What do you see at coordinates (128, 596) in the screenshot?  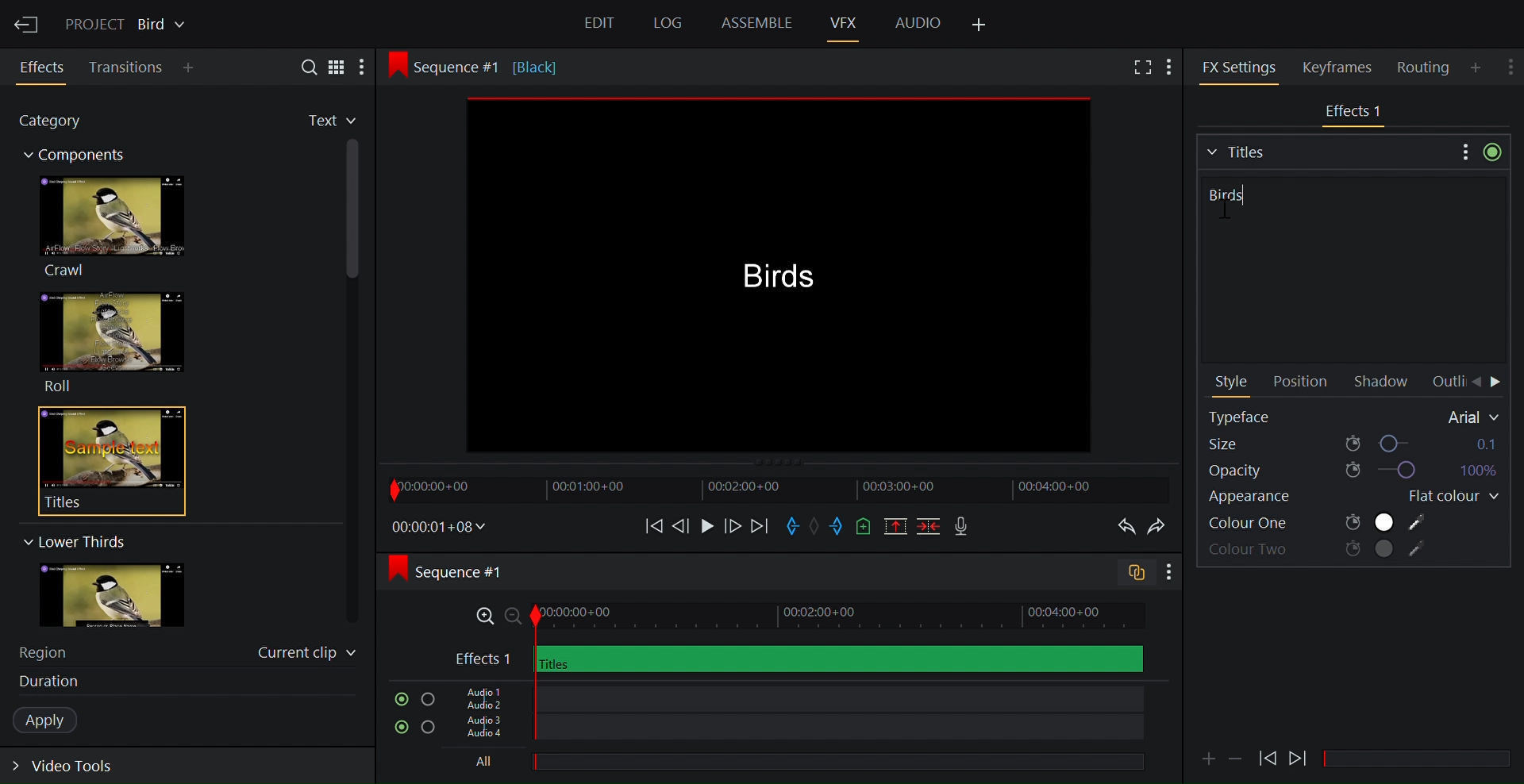 I see `image` at bounding box center [128, 596].